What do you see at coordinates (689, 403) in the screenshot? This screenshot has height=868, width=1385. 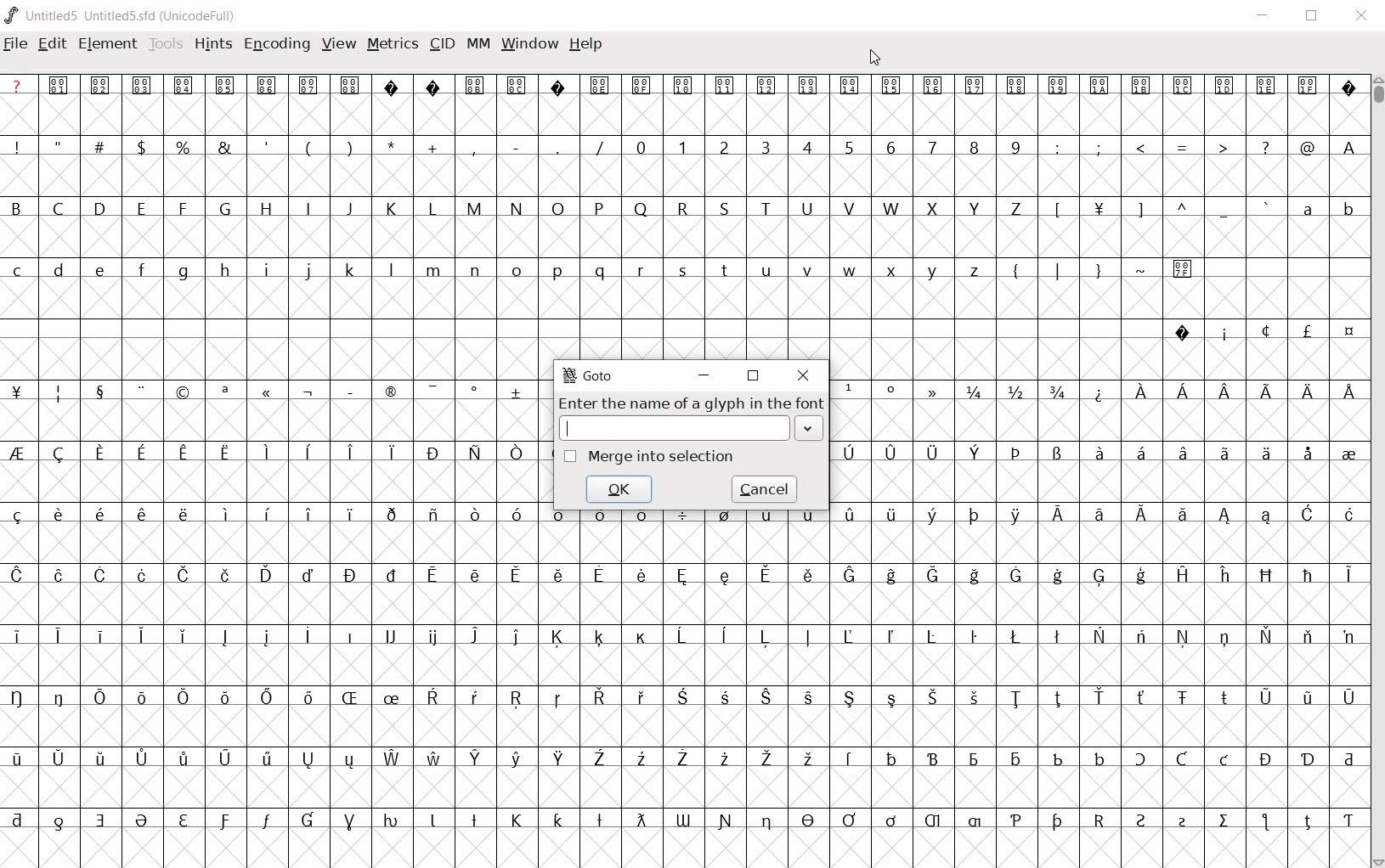 I see `Enter the name of a glyph in the font` at bounding box center [689, 403].